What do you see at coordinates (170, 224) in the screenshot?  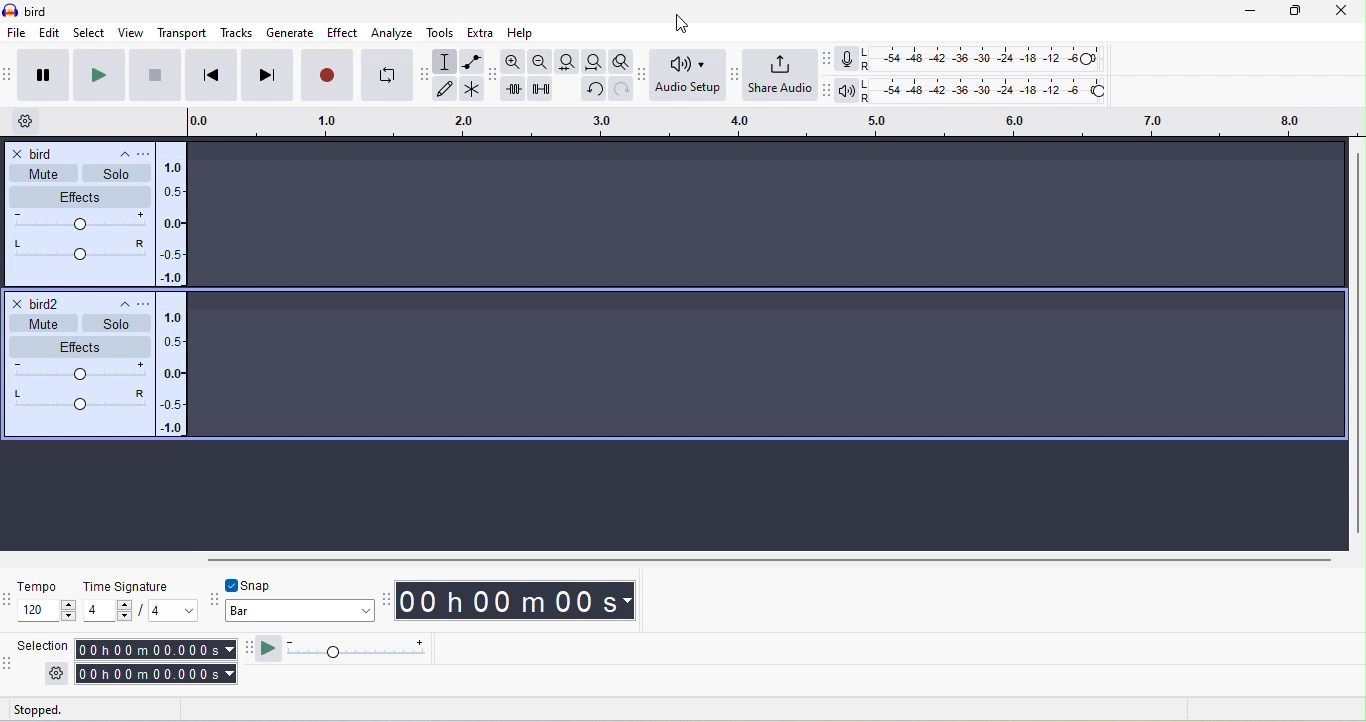 I see `amplitude` at bounding box center [170, 224].